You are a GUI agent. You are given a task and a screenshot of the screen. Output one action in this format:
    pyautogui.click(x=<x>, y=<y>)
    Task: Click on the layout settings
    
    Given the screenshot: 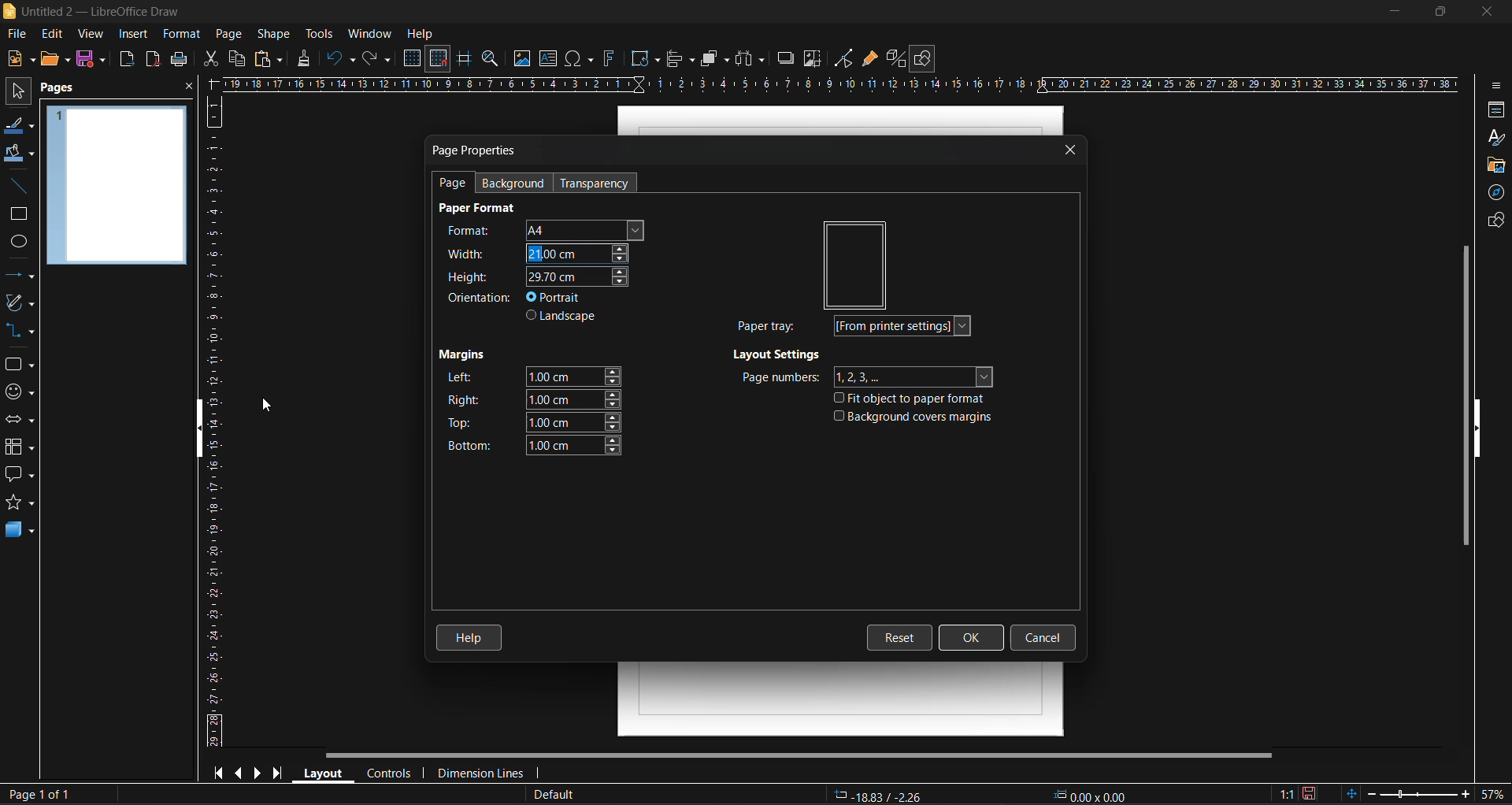 What is the action you would take?
    pyautogui.click(x=780, y=357)
    